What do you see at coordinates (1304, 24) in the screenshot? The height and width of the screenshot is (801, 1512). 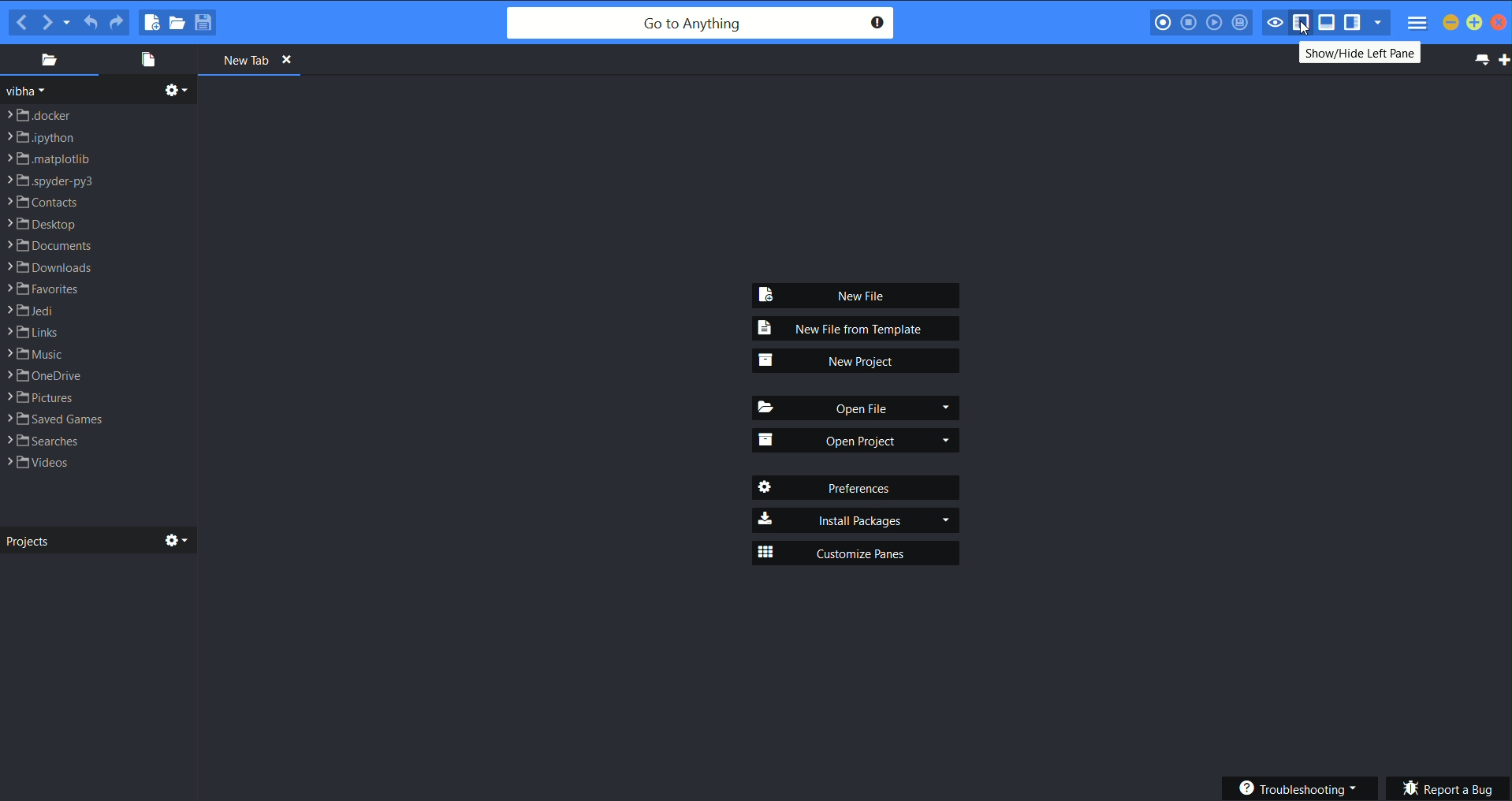 I see `hide left pane` at bounding box center [1304, 24].